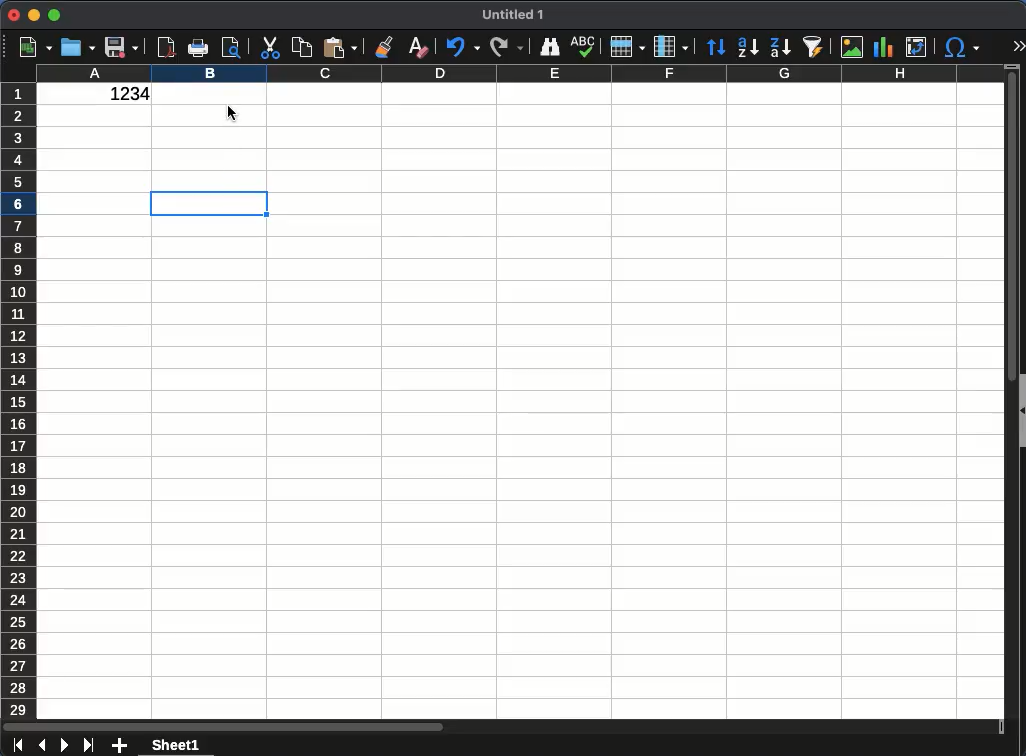 This screenshot has height=756, width=1026. What do you see at coordinates (669, 47) in the screenshot?
I see `column` at bounding box center [669, 47].